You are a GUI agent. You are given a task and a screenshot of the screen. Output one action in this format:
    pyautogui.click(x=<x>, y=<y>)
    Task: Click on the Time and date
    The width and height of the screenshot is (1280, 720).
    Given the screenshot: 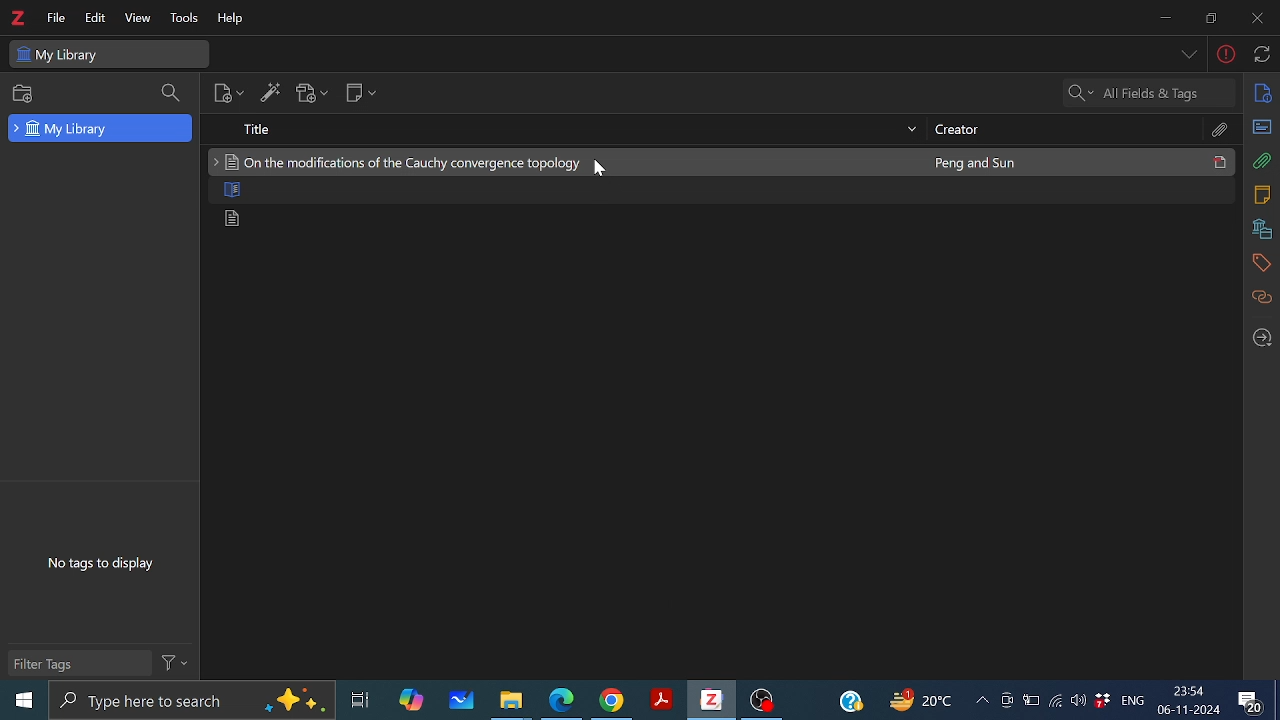 What is the action you would take?
    pyautogui.click(x=1190, y=701)
    